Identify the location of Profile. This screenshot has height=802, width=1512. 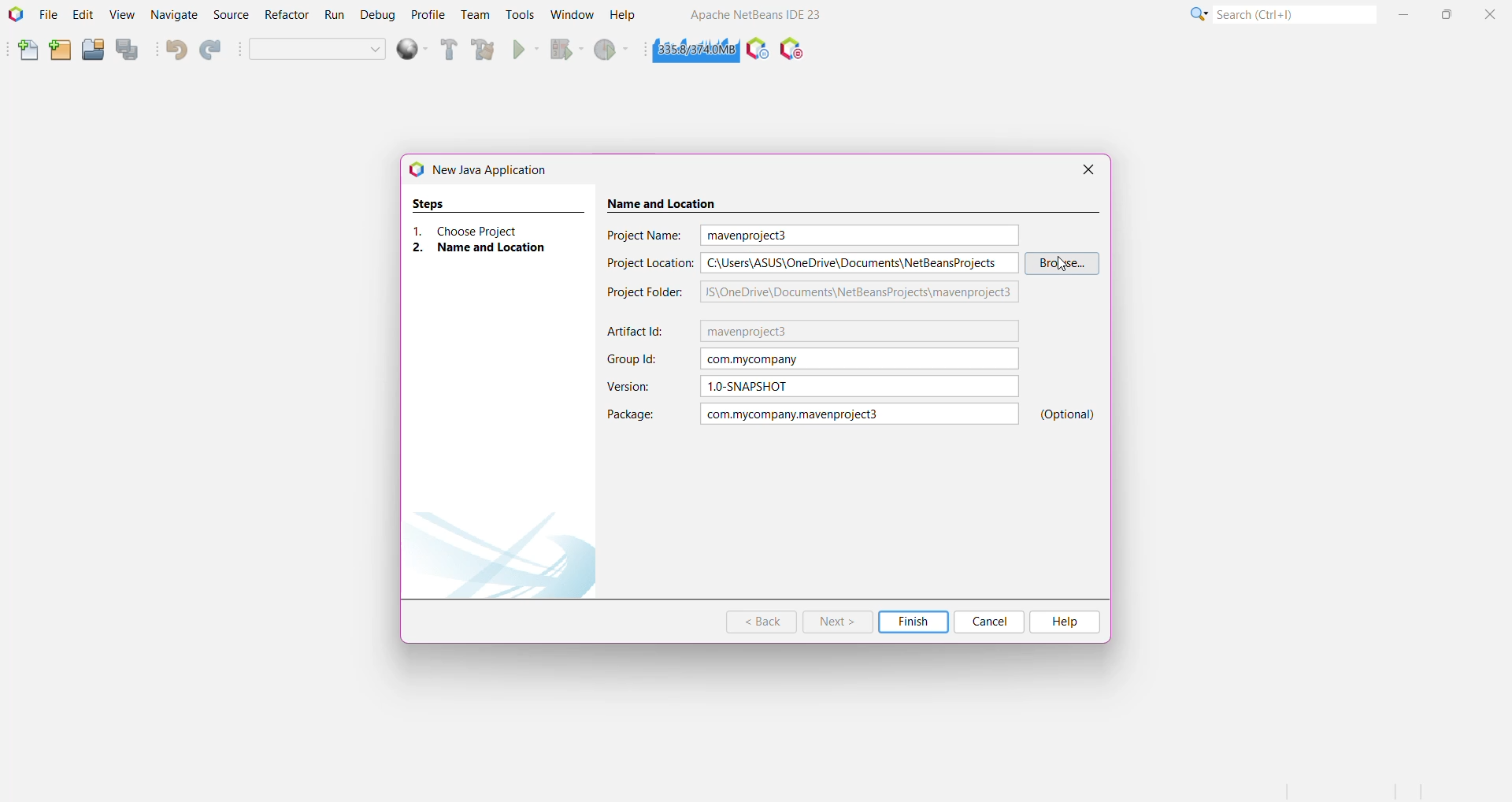
(427, 15).